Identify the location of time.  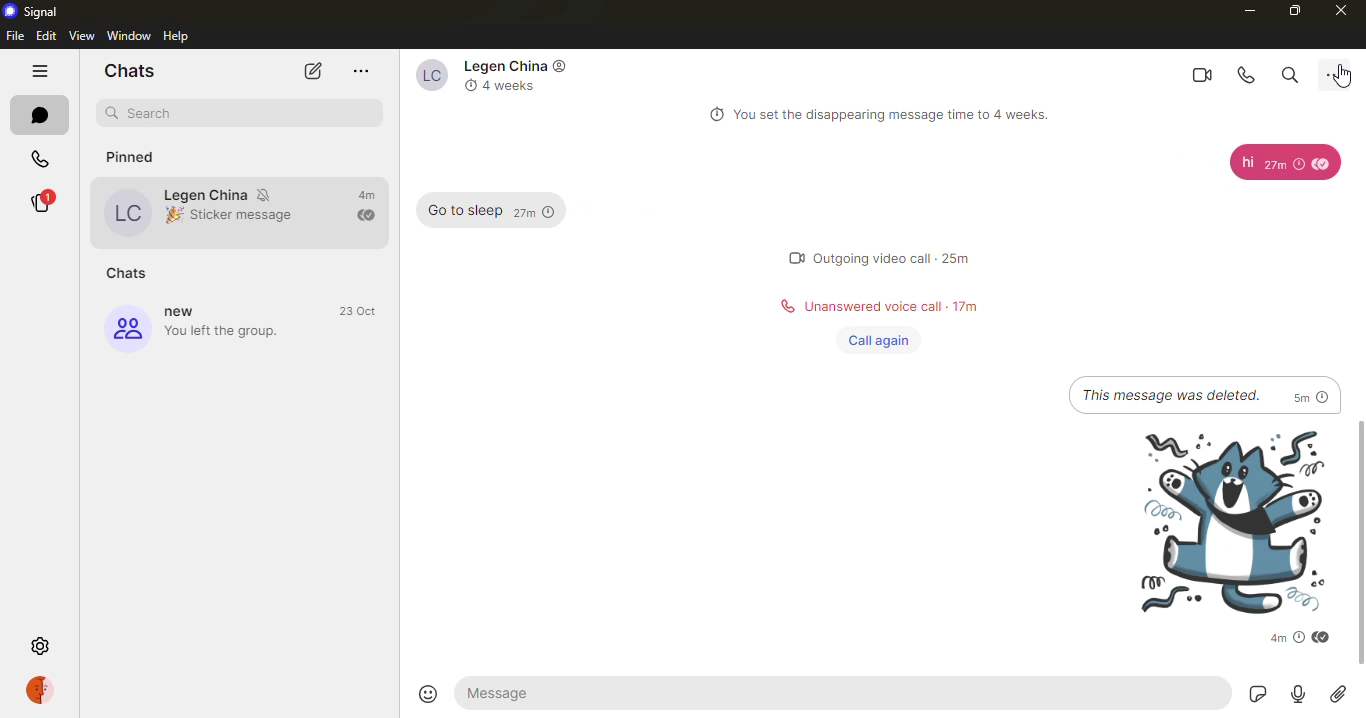
(536, 213).